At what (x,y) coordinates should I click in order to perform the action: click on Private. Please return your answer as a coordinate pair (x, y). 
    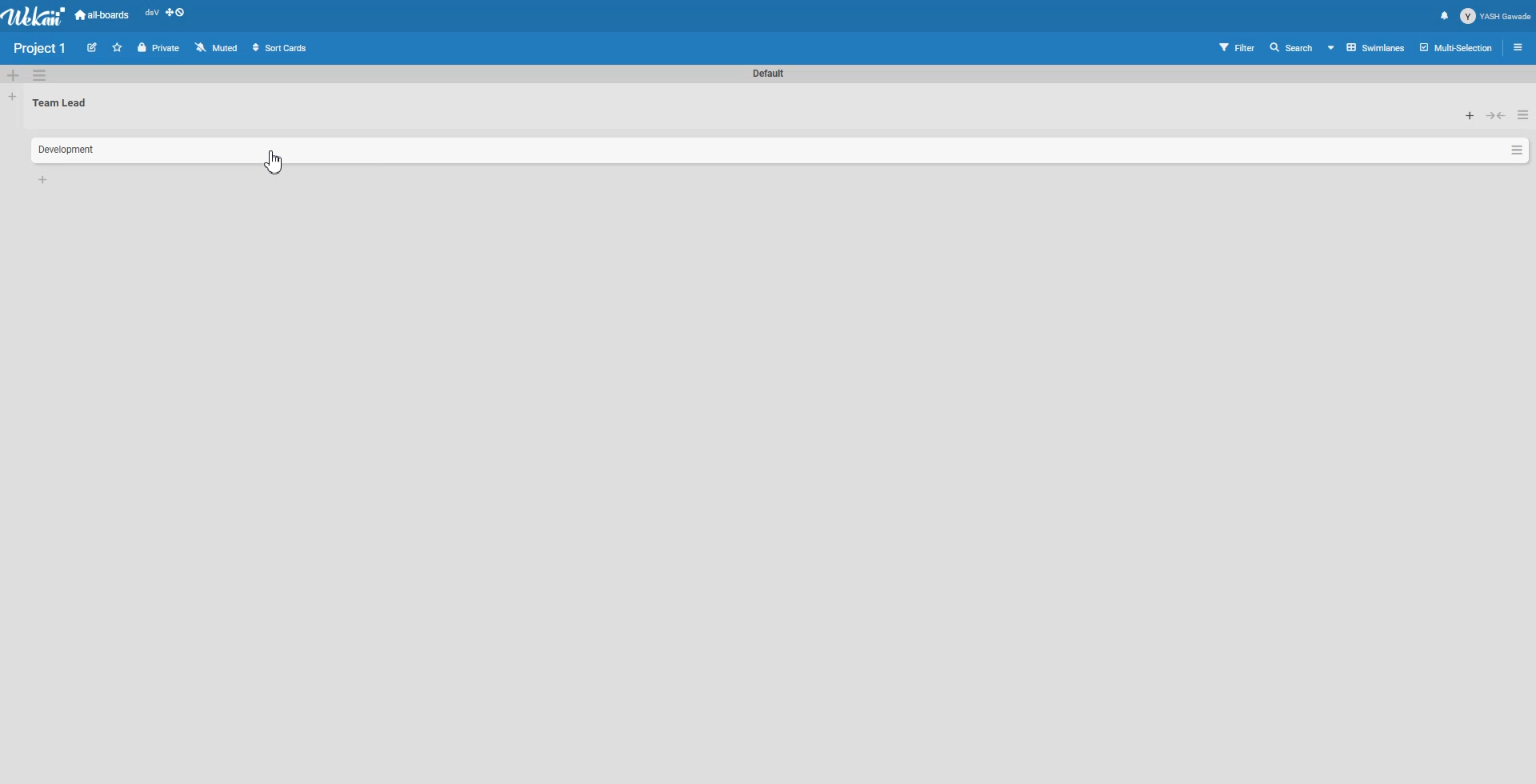
    Looking at the image, I should click on (159, 48).